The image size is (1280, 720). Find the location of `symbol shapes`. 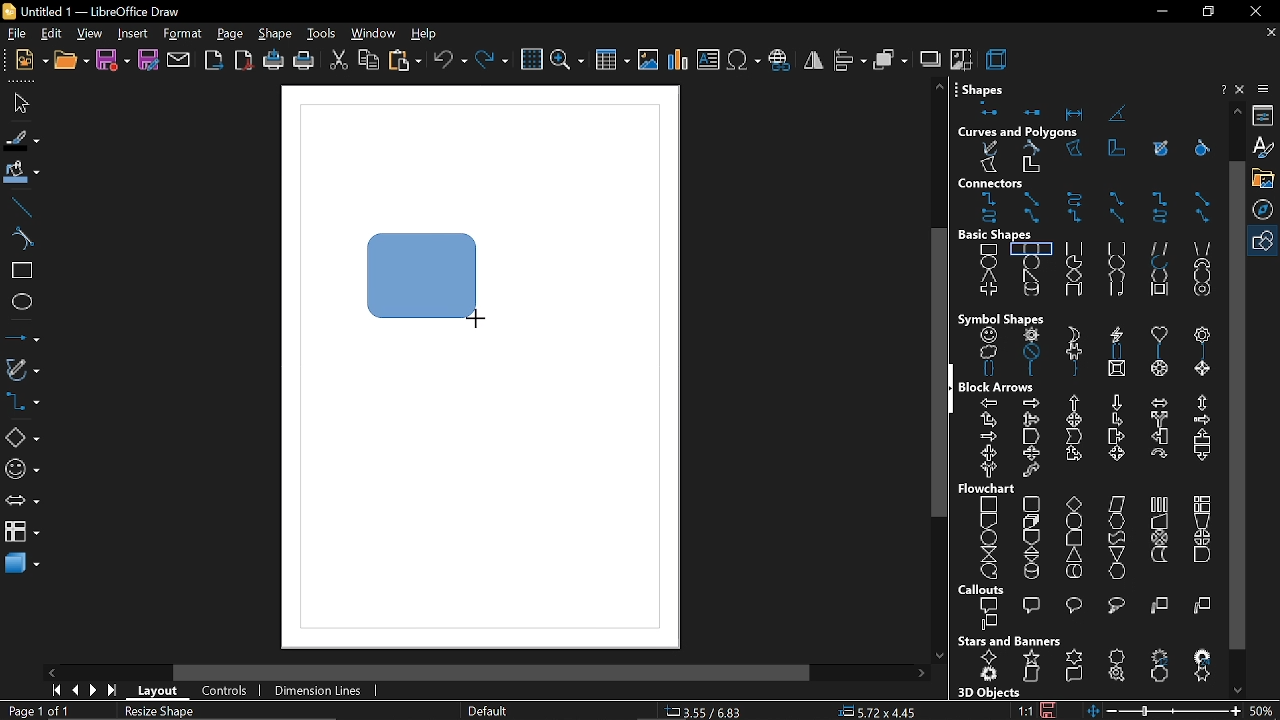

symbol shapes is located at coordinates (1001, 318).